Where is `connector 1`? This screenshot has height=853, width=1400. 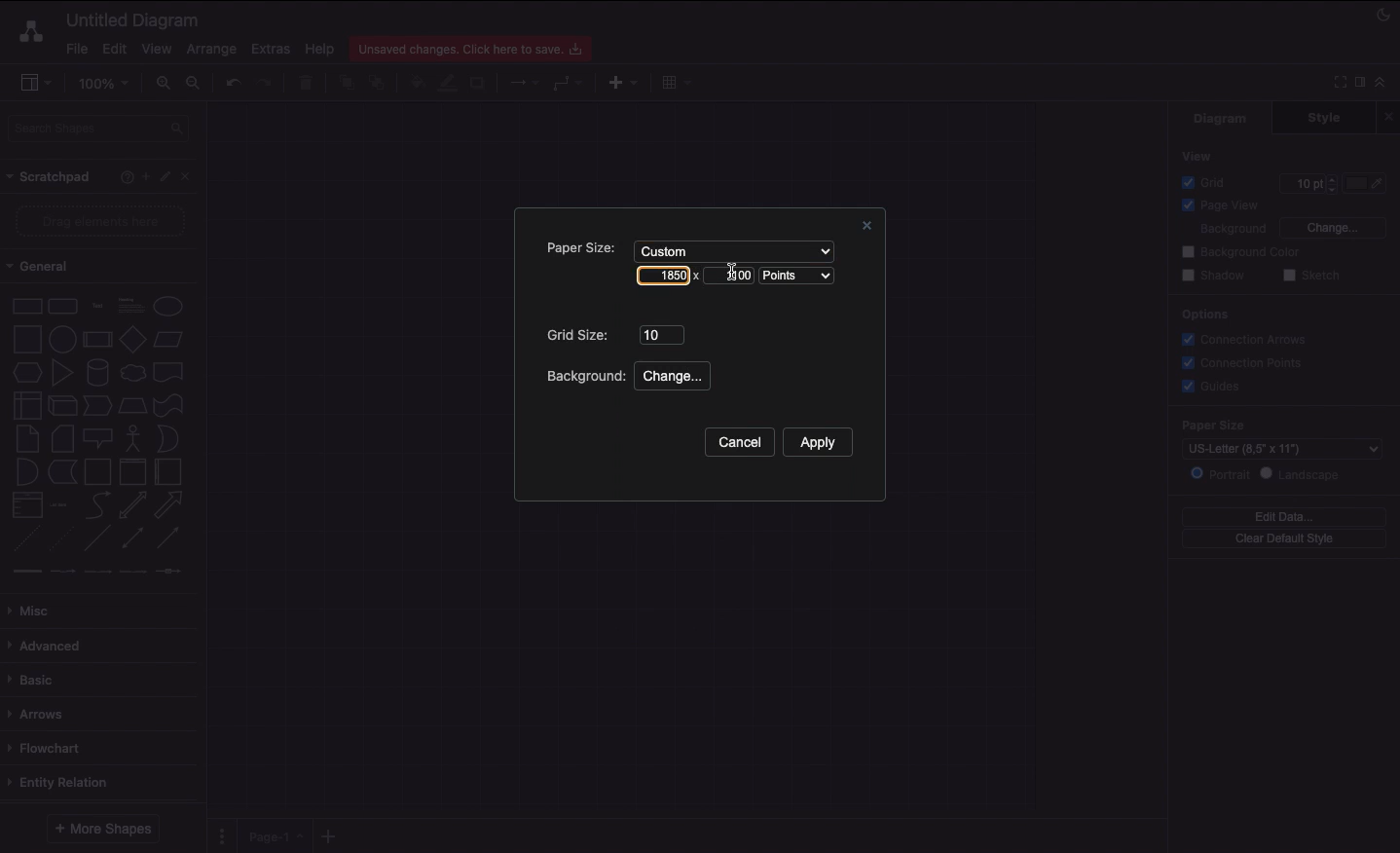
connector 1 is located at coordinates (24, 572).